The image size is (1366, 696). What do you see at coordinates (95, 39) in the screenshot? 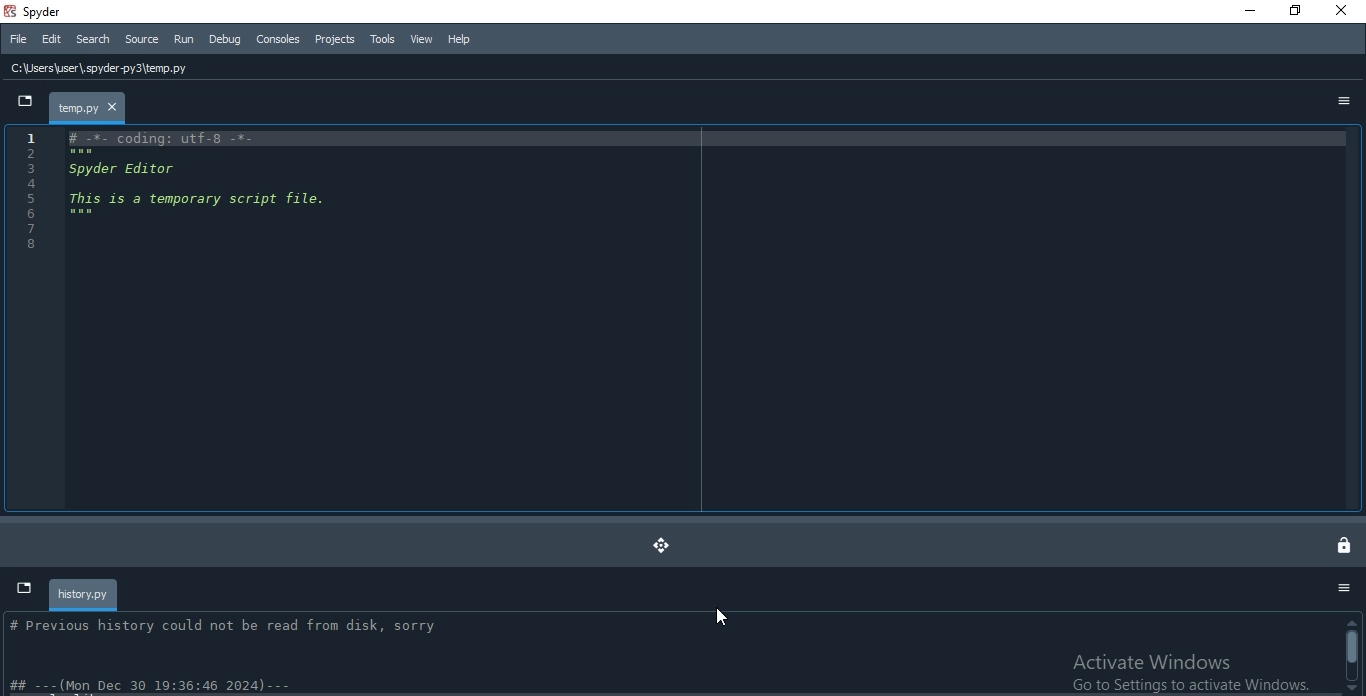
I see `Search` at bounding box center [95, 39].